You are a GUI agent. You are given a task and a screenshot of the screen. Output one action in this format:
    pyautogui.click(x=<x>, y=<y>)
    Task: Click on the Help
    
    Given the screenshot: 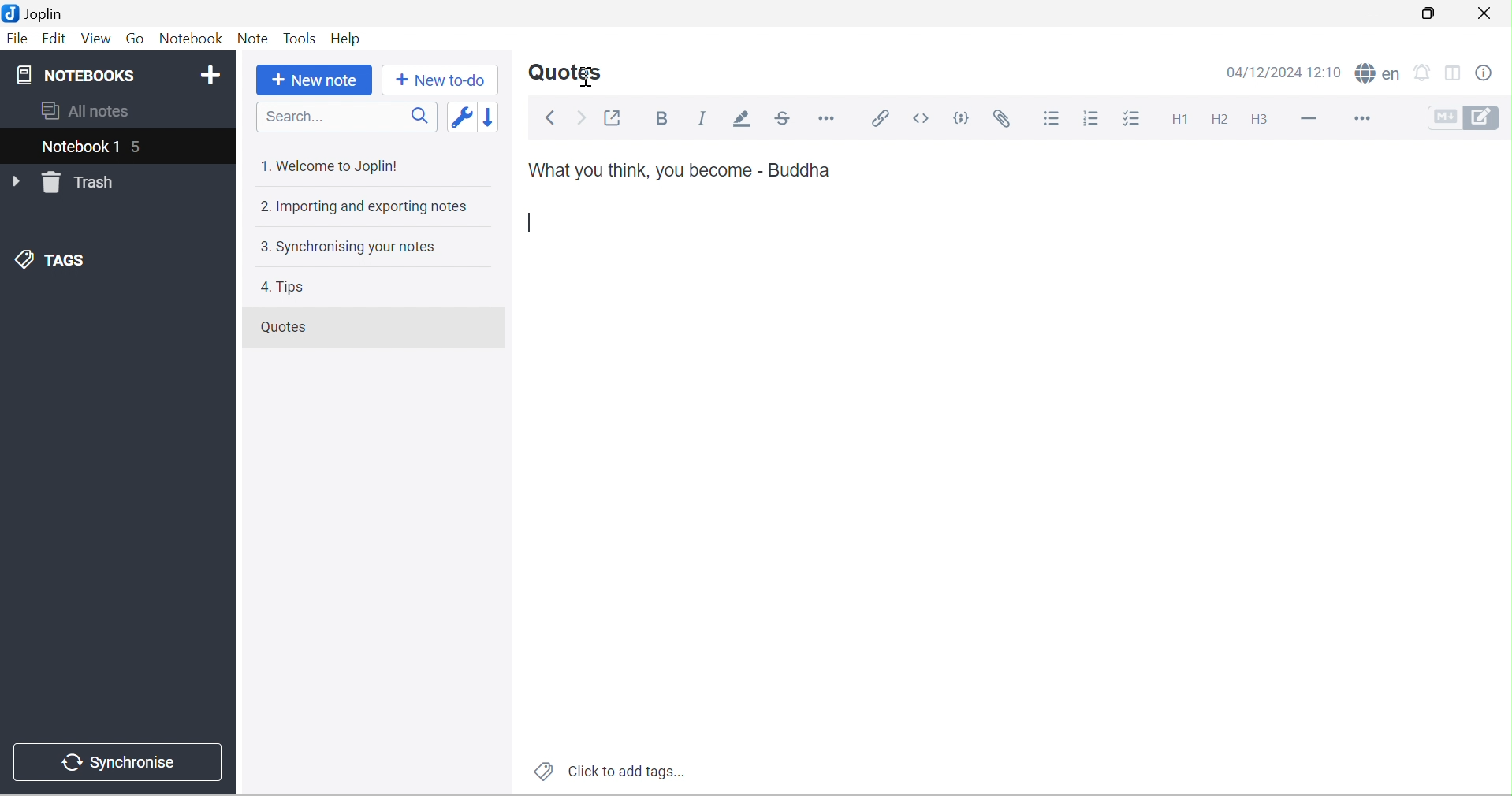 What is the action you would take?
    pyautogui.click(x=349, y=38)
    